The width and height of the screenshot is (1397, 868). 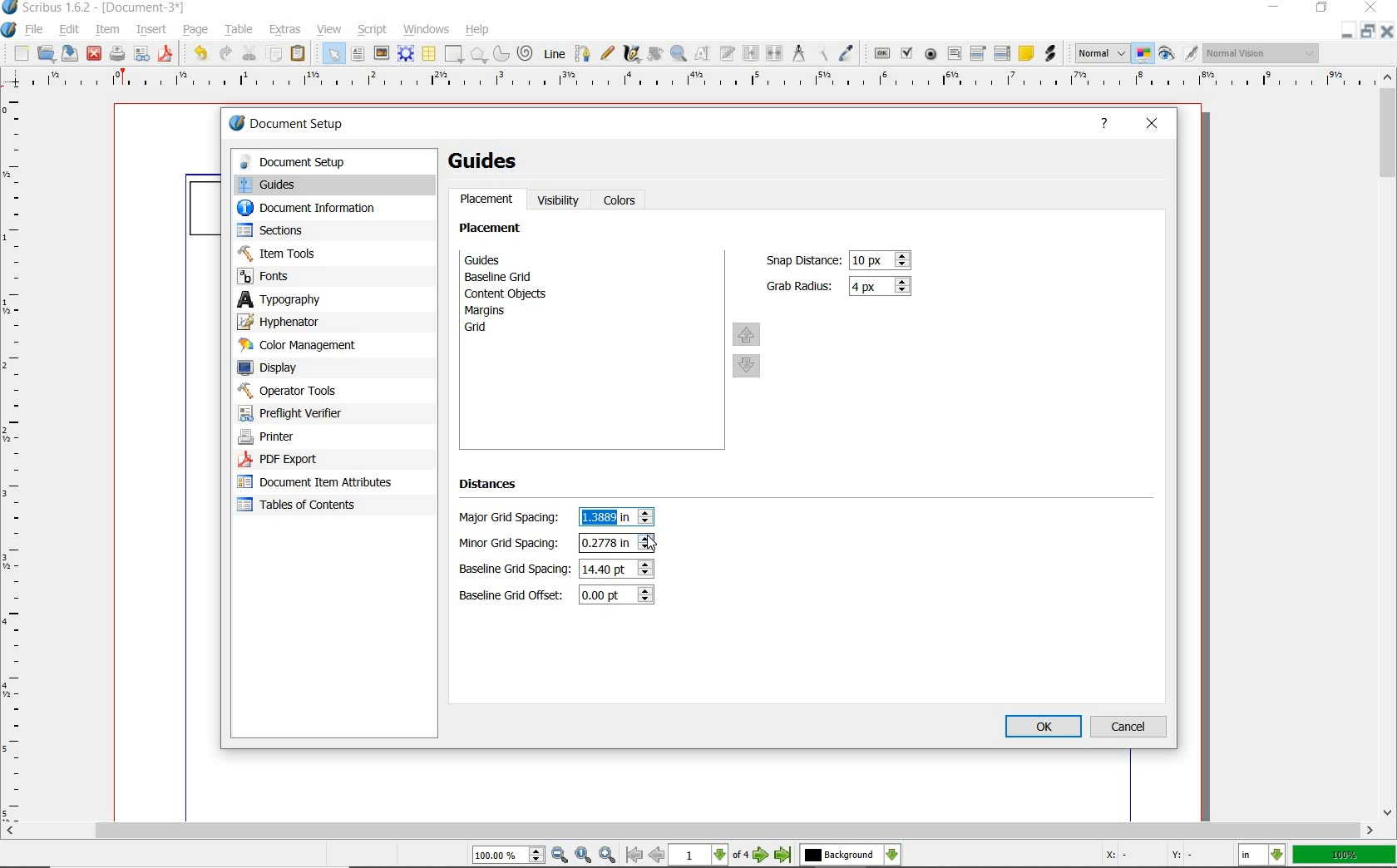 What do you see at coordinates (1025, 52) in the screenshot?
I see `text annotation` at bounding box center [1025, 52].